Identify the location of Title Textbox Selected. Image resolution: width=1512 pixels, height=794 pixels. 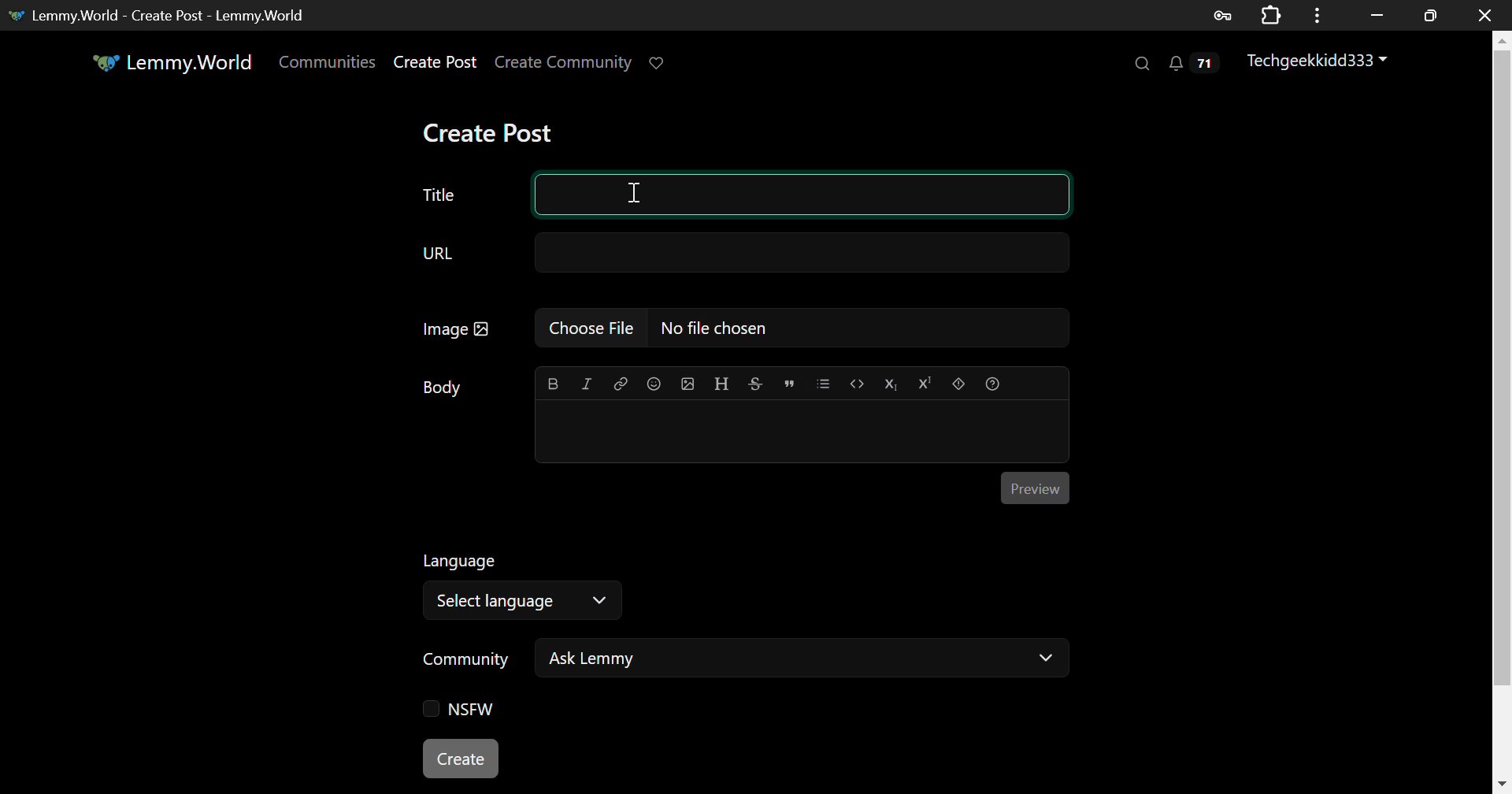
(803, 194).